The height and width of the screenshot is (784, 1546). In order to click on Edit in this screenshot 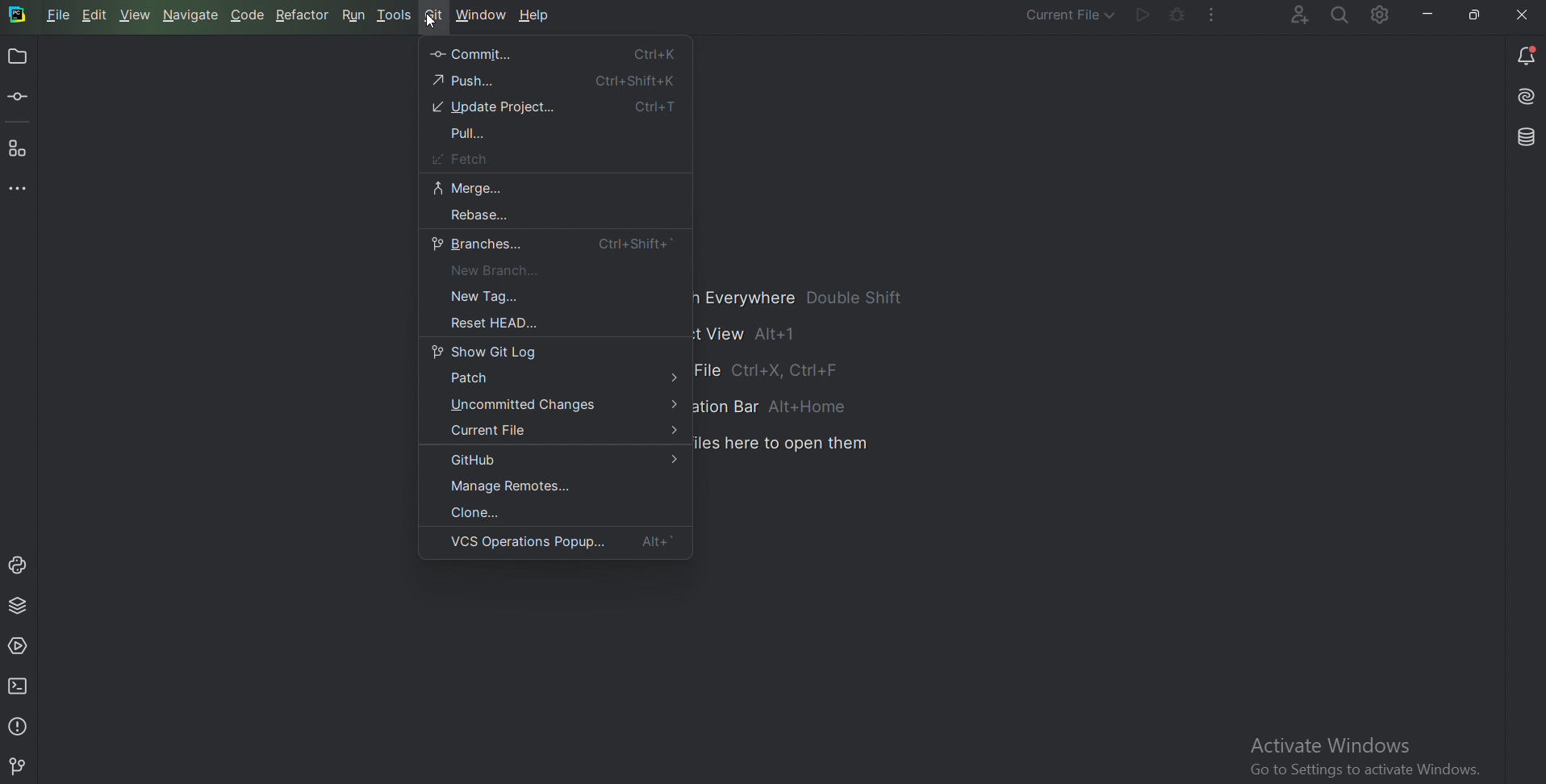, I will do `click(96, 15)`.